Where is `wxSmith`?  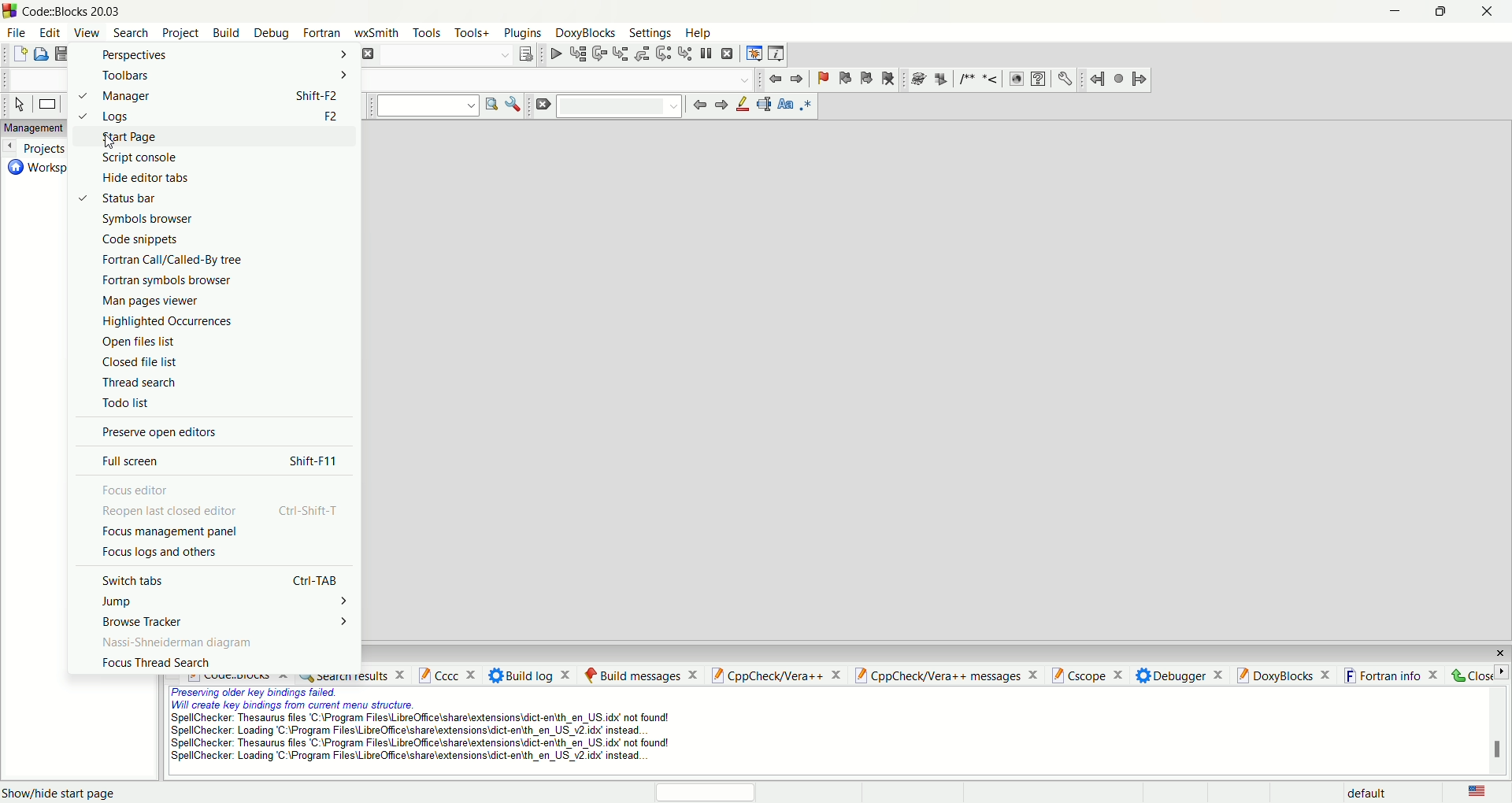
wxSmith is located at coordinates (378, 33).